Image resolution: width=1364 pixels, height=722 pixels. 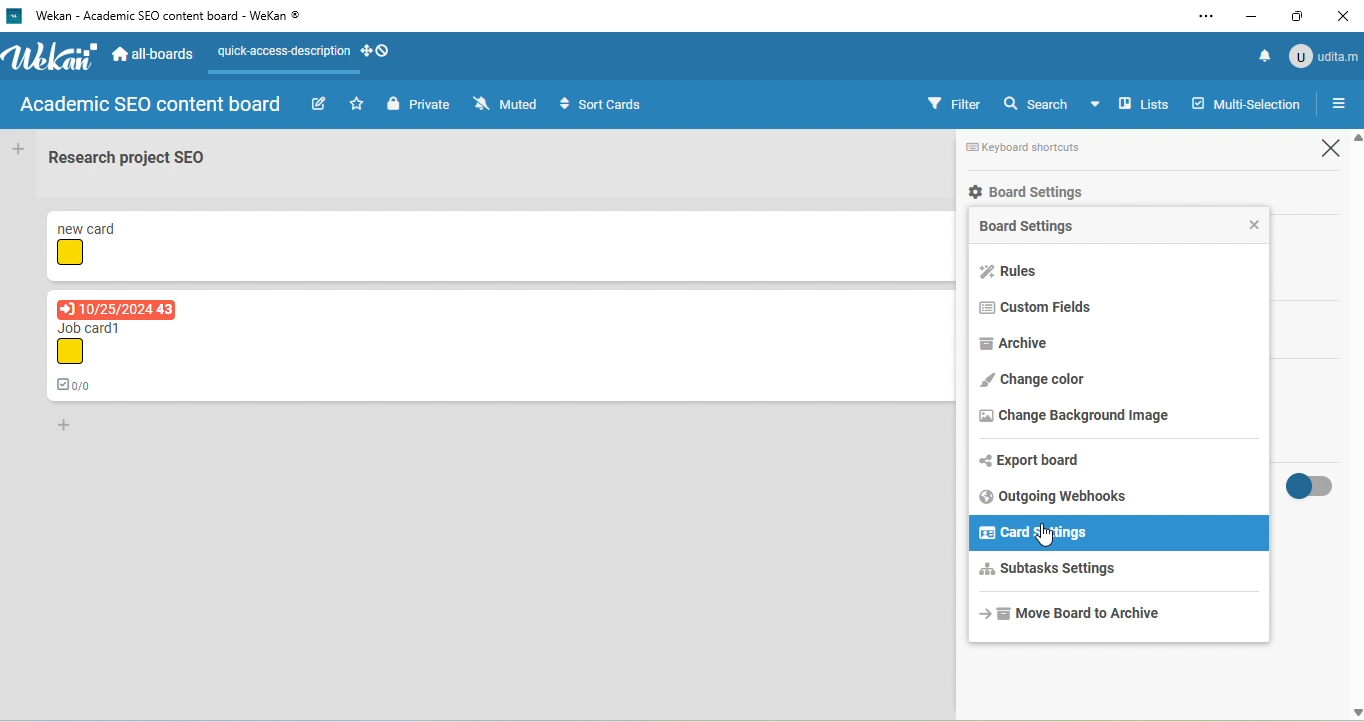 I want to click on edit, so click(x=319, y=104).